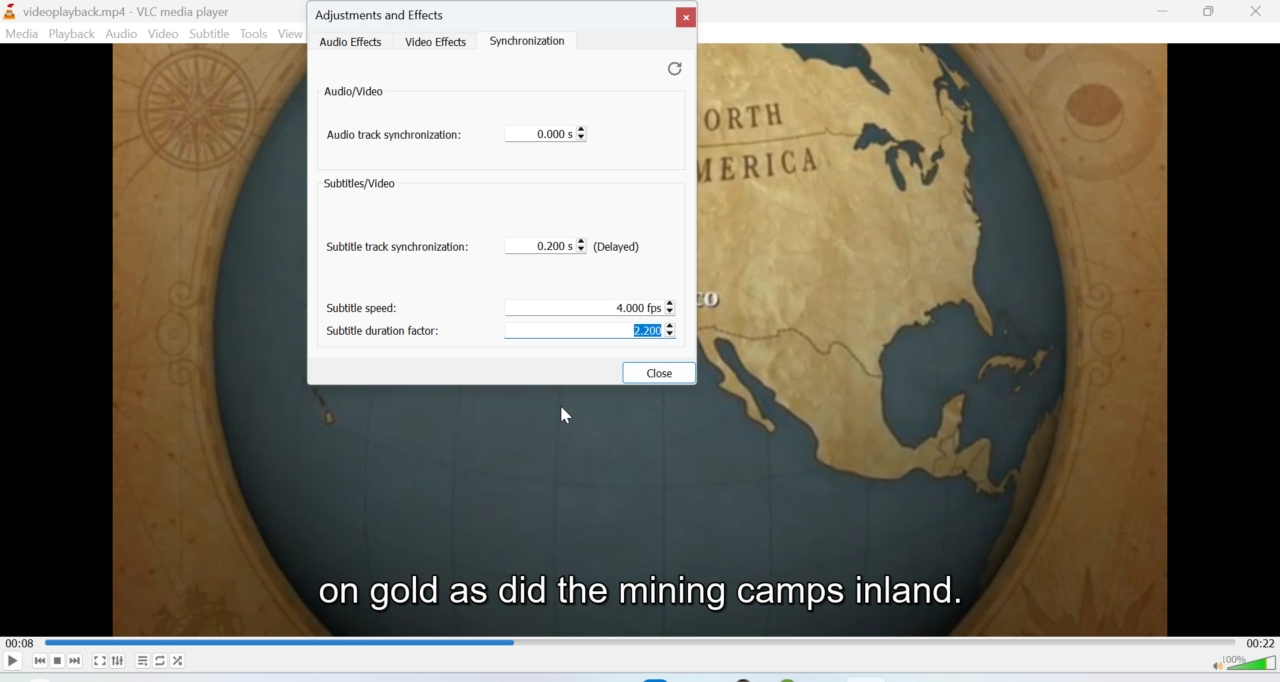 The width and height of the screenshot is (1280, 682). Describe the element at coordinates (661, 373) in the screenshot. I see `Close` at that location.